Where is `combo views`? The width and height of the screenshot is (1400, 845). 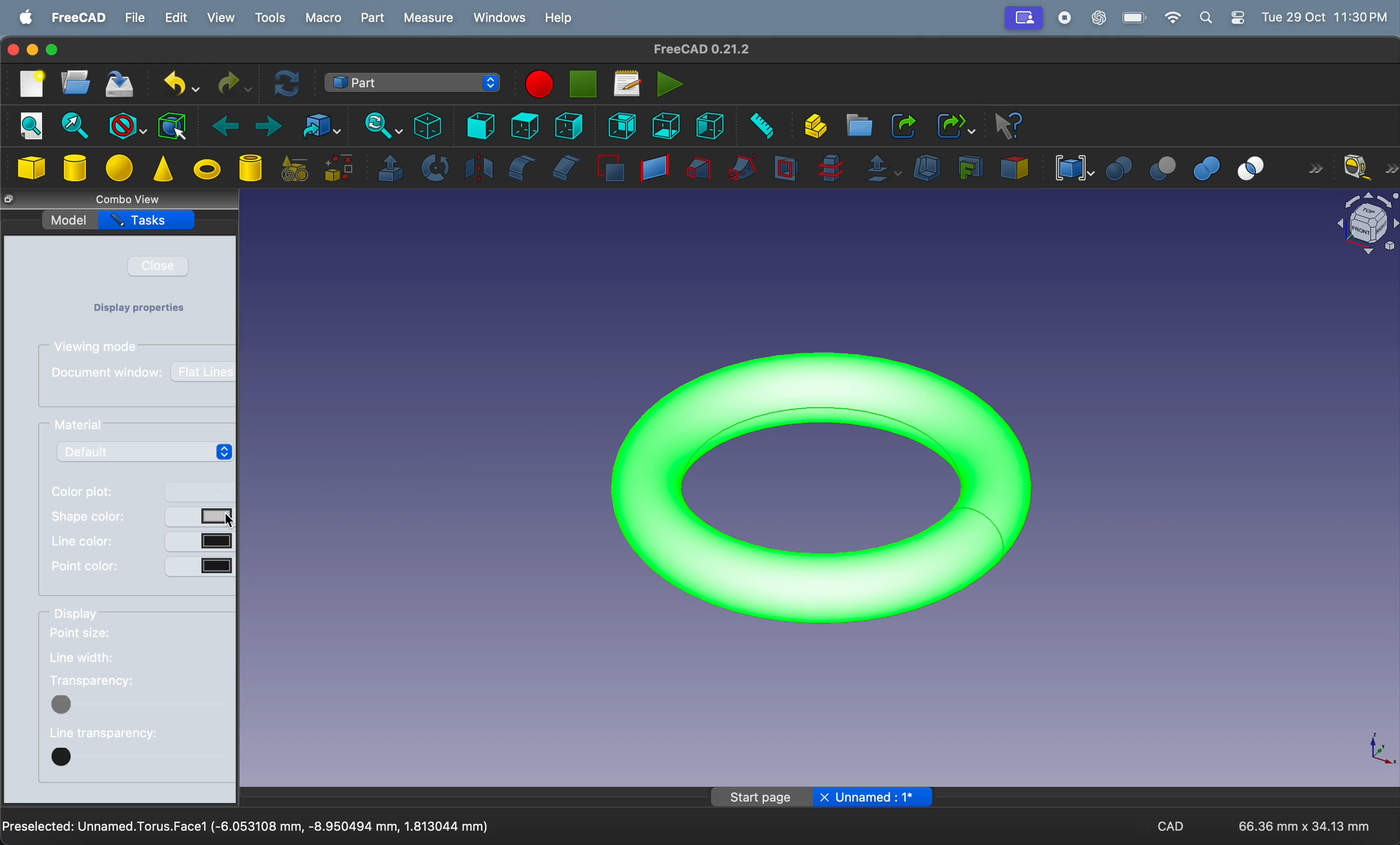 combo views is located at coordinates (143, 199).